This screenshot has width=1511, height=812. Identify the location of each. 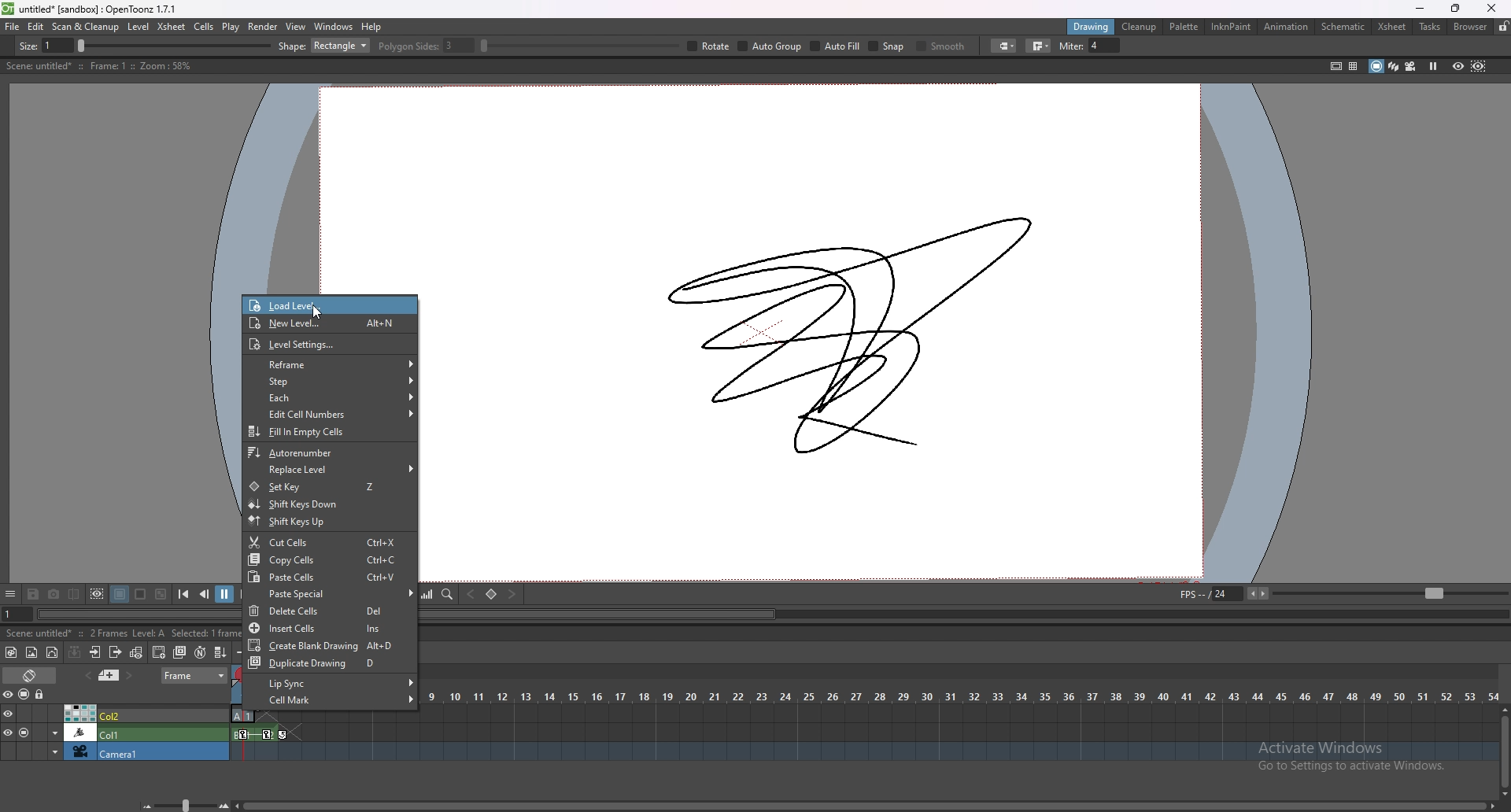
(329, 397).